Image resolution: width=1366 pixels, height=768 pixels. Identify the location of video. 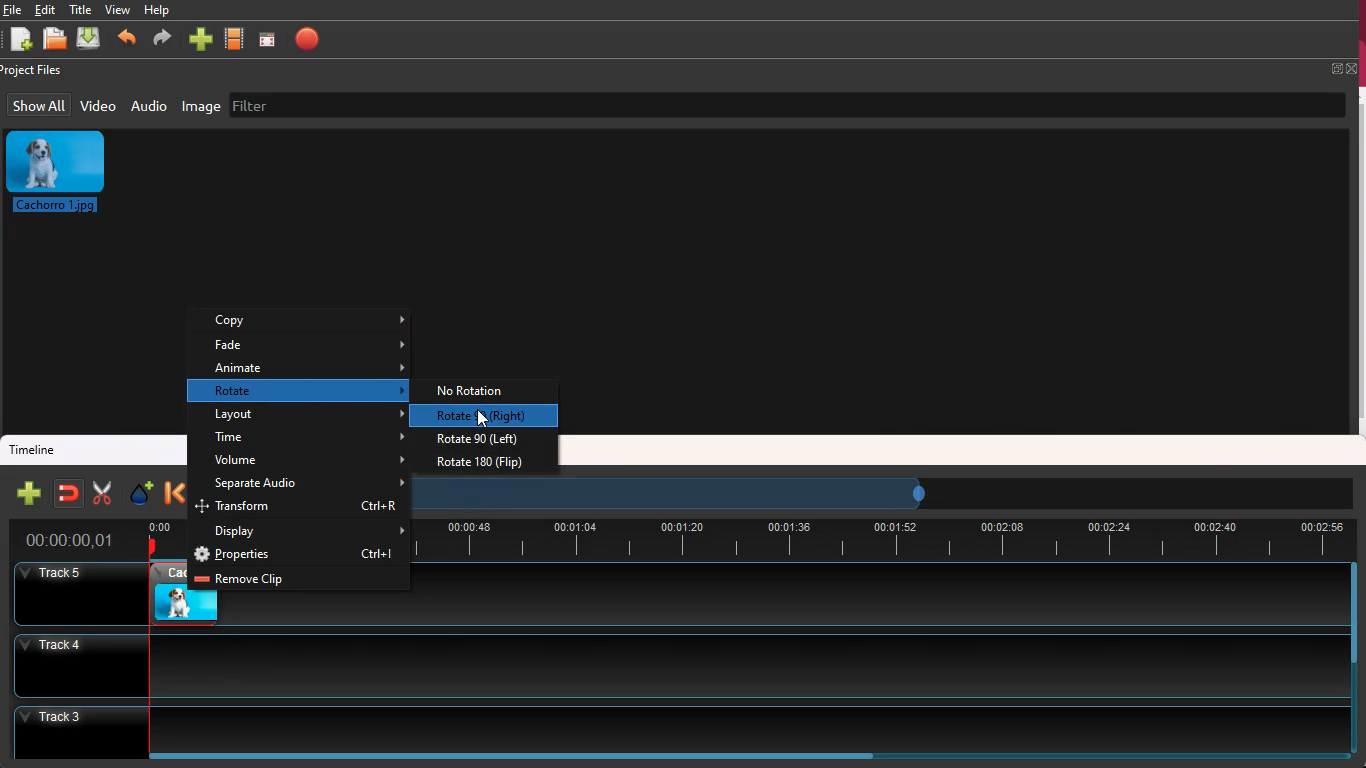
(96, 108).